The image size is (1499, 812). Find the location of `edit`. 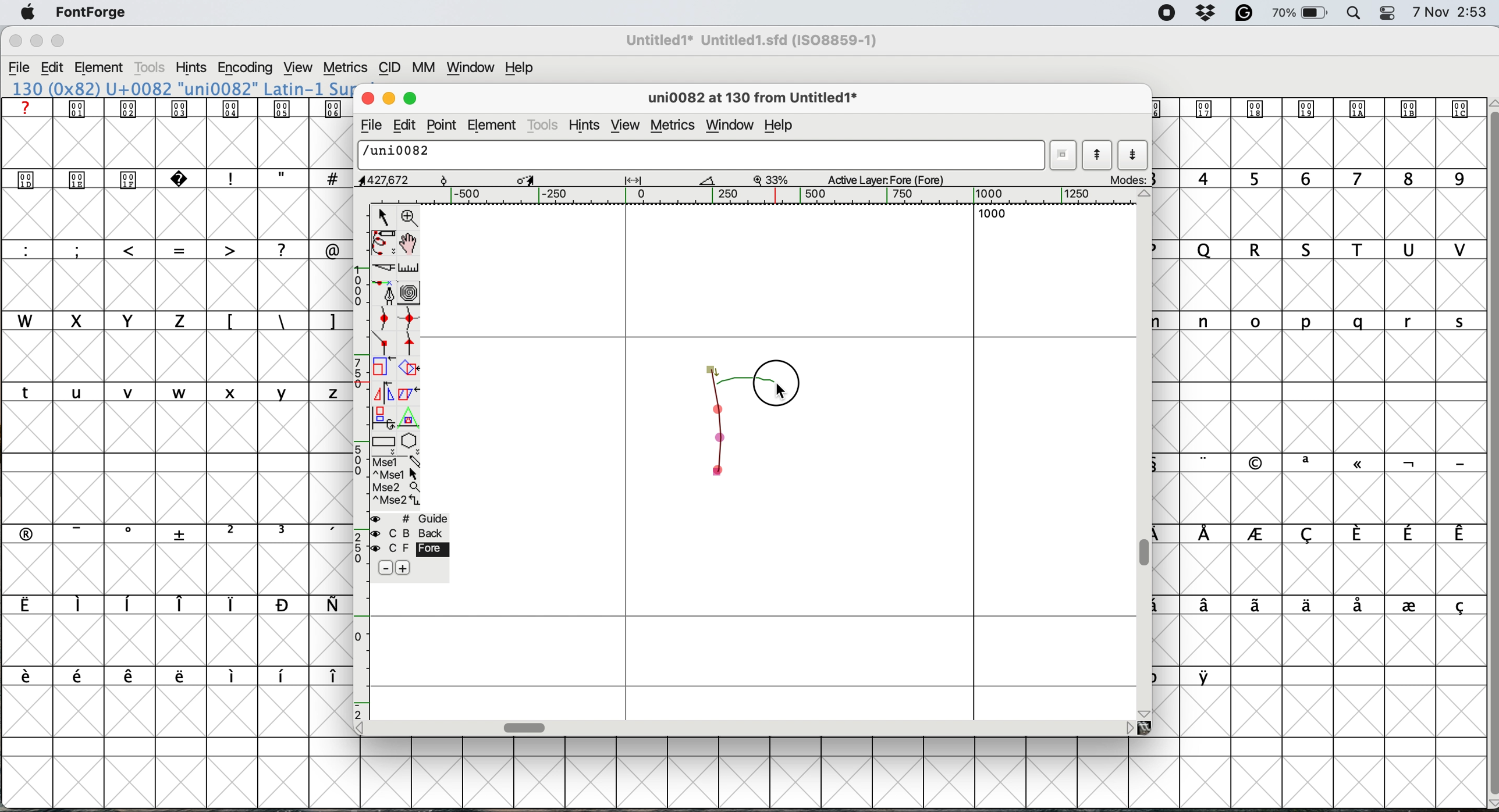

edit is located at coordinates (58, 68).